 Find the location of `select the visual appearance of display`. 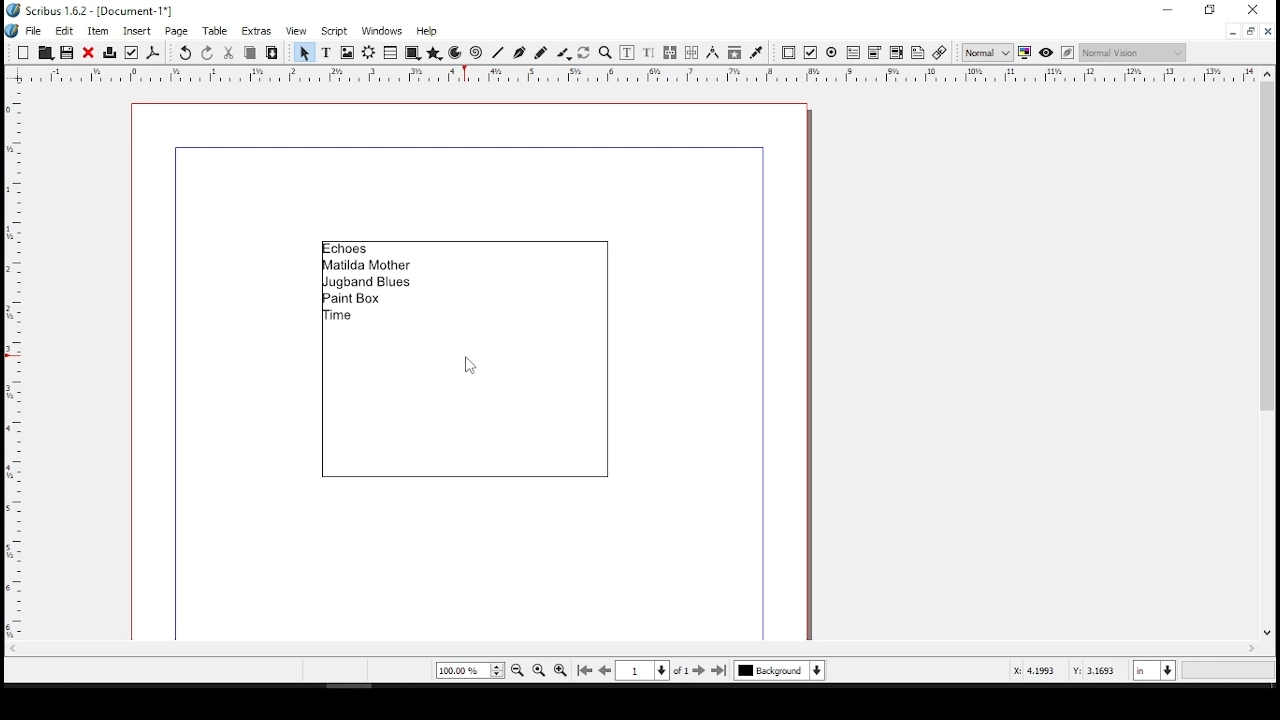

select the visual appearance of display is located at coordinates (1132, 52).